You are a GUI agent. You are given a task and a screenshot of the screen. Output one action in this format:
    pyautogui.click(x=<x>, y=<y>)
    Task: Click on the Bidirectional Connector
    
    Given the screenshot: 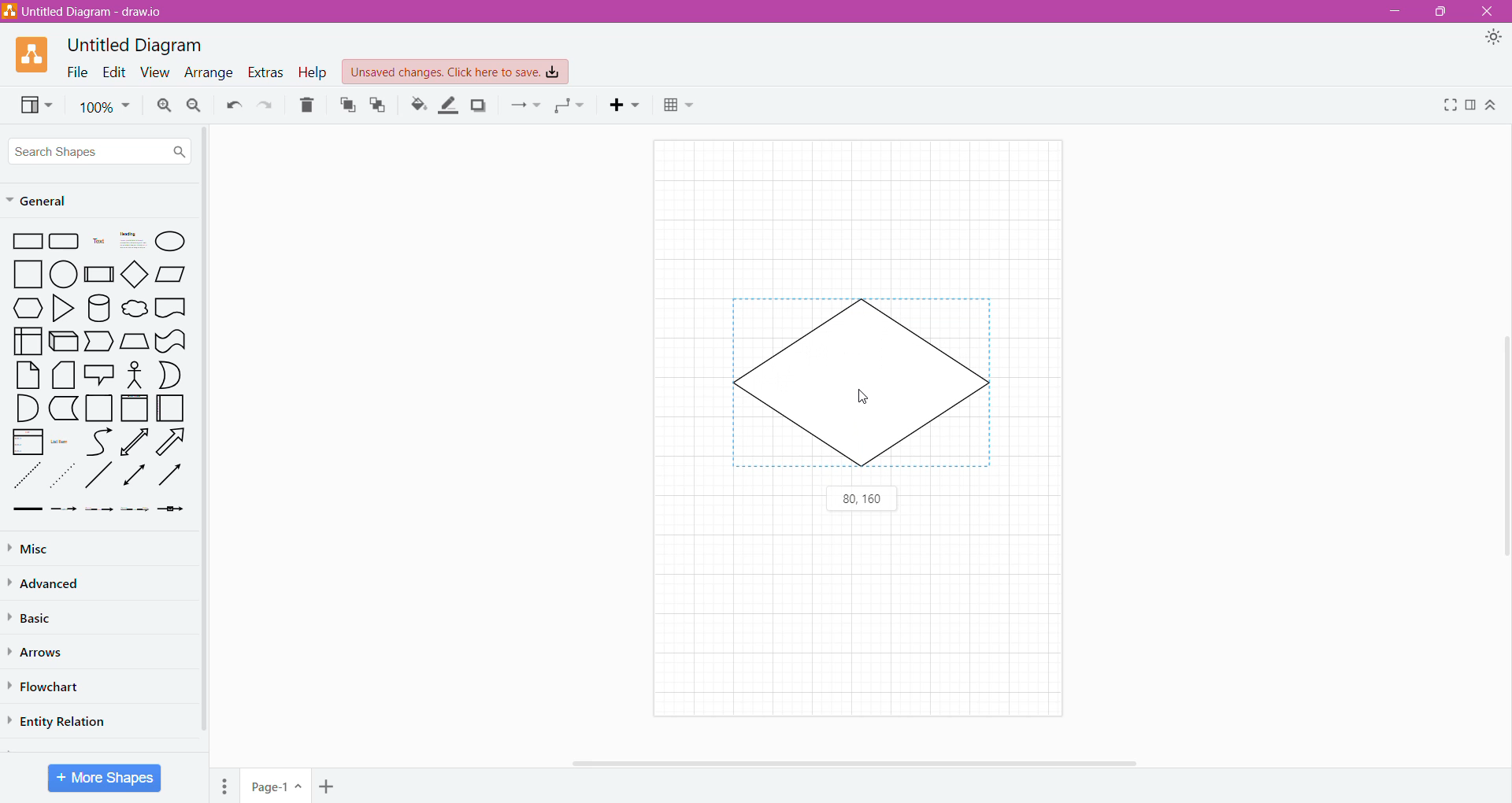 What is the action you would take?
    pyautogui.click(x=135, y=478)
    